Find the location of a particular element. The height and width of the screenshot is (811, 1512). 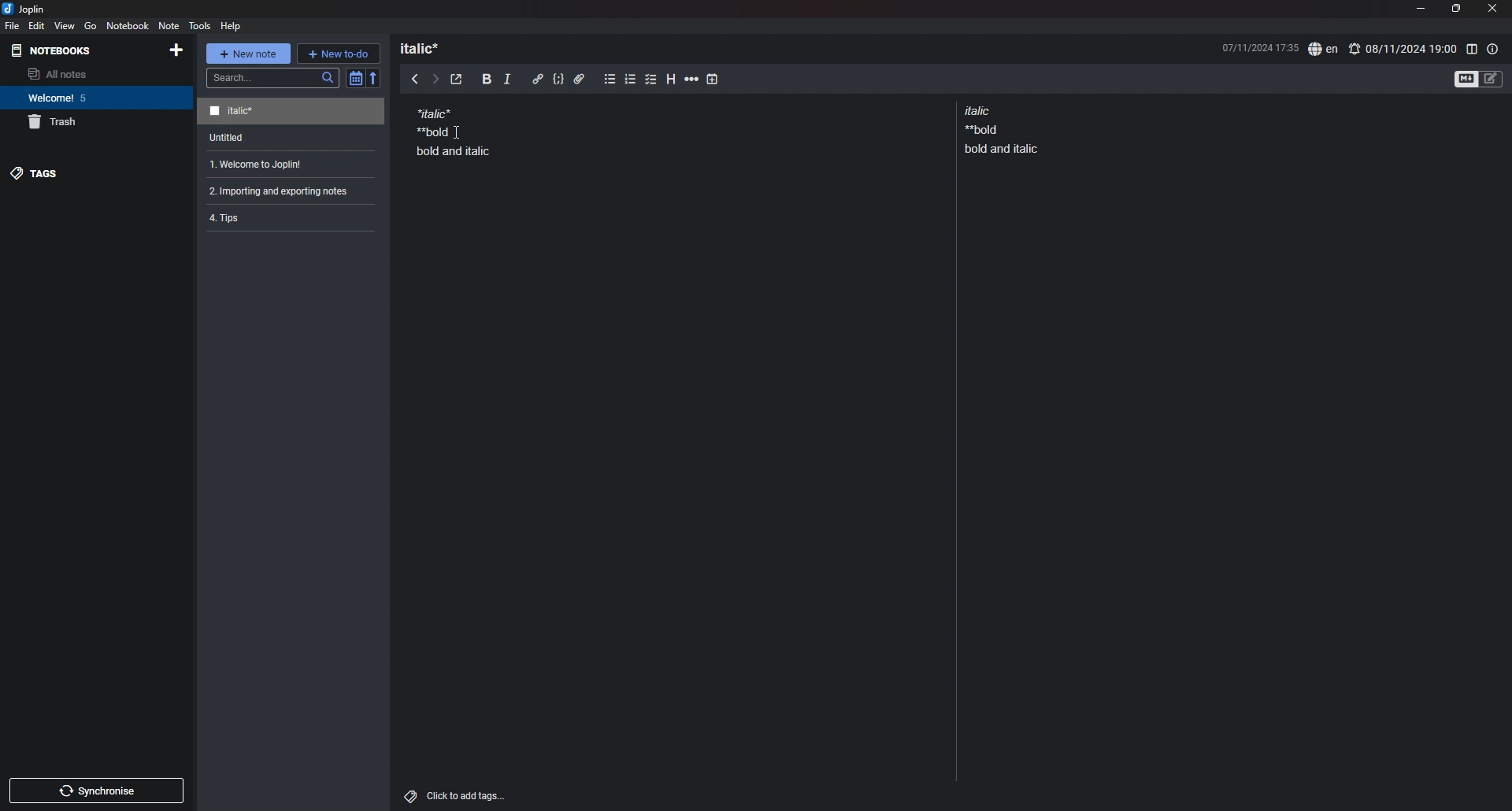

bullet list is located at coordinates (610, 80).